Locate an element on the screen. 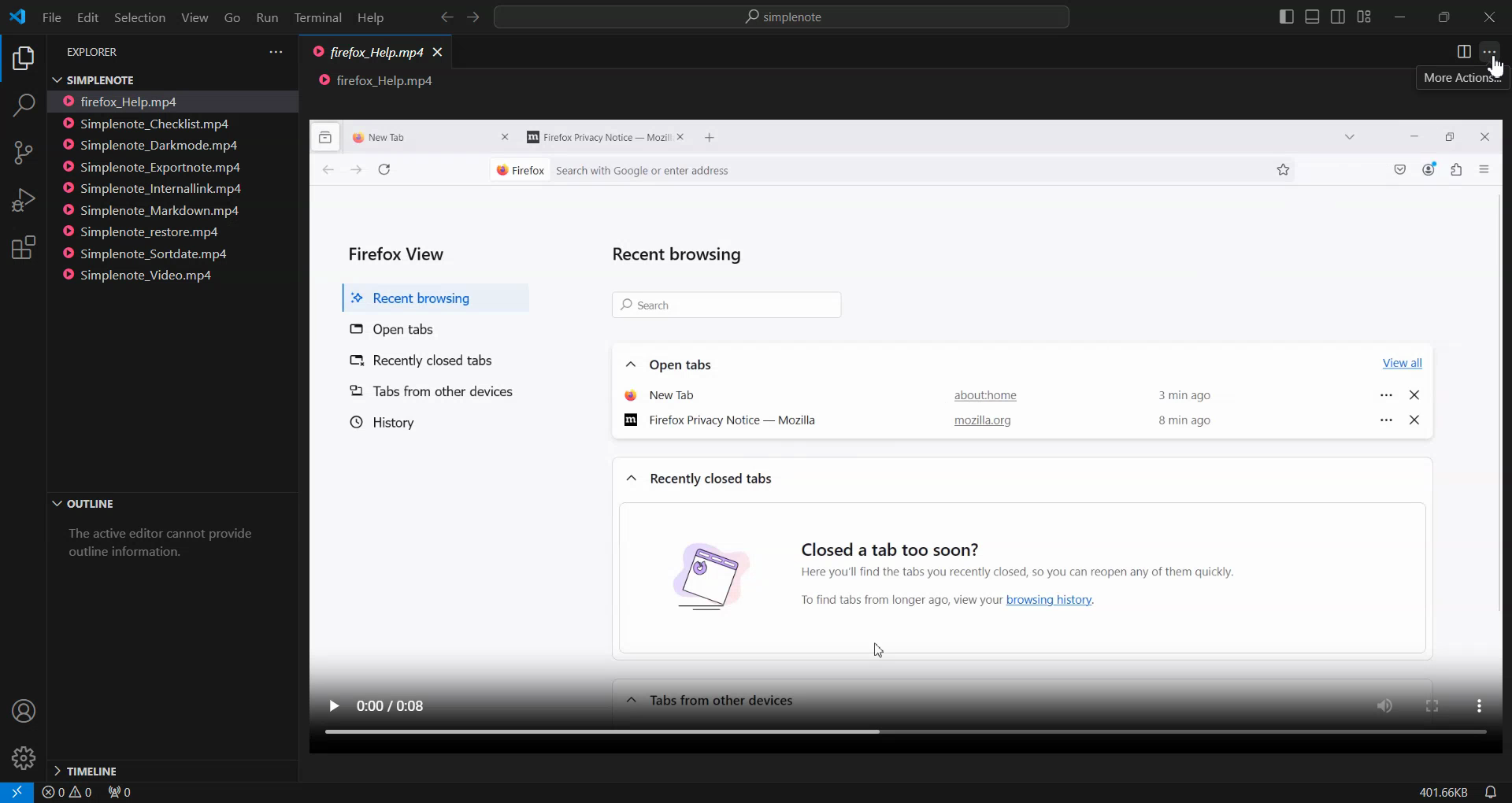 This screenshot has width=1512, height=803. No Problem is located at coordinates (66, 793).